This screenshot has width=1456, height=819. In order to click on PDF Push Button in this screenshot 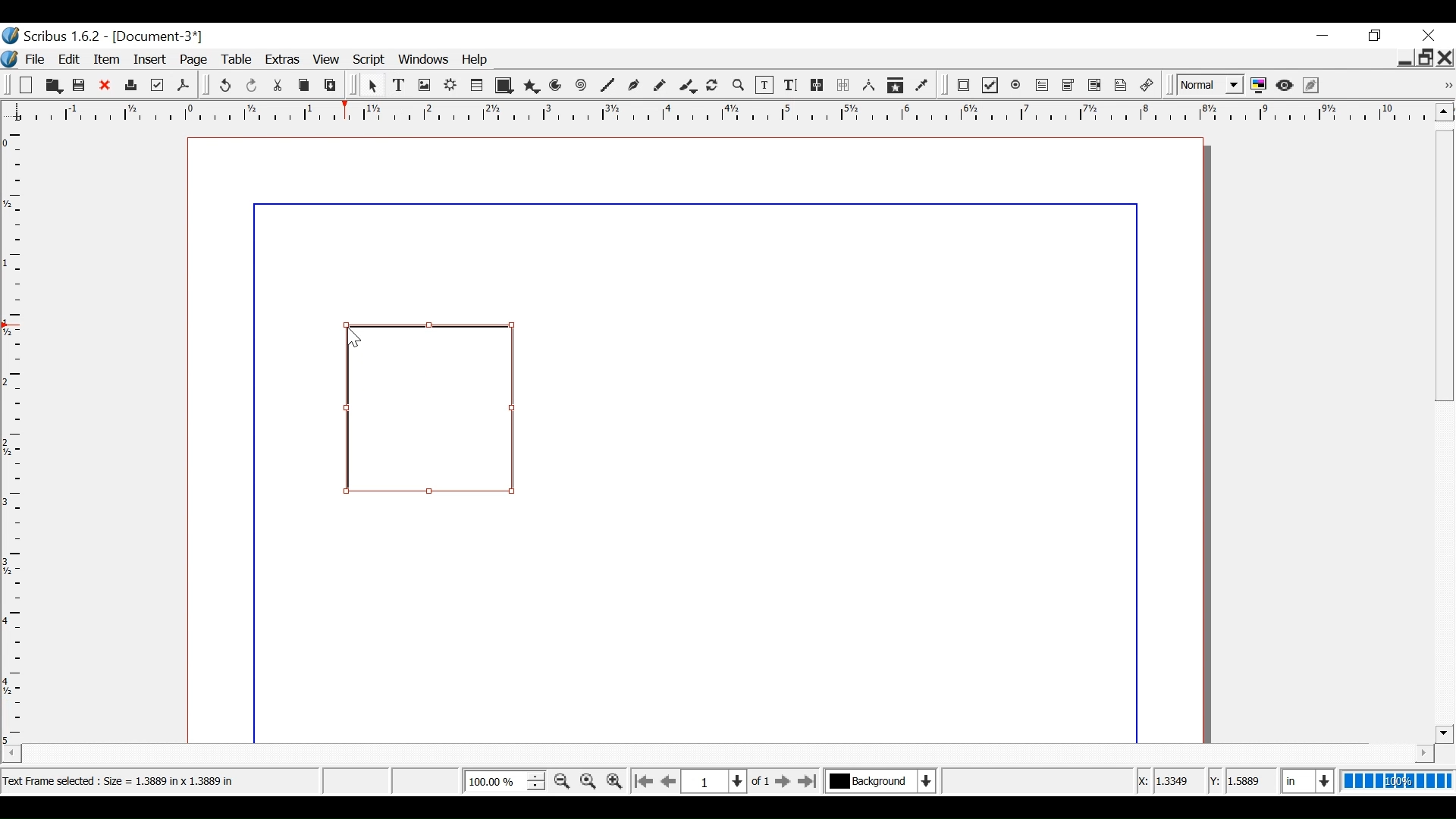, I will do `click(963, 84)`.